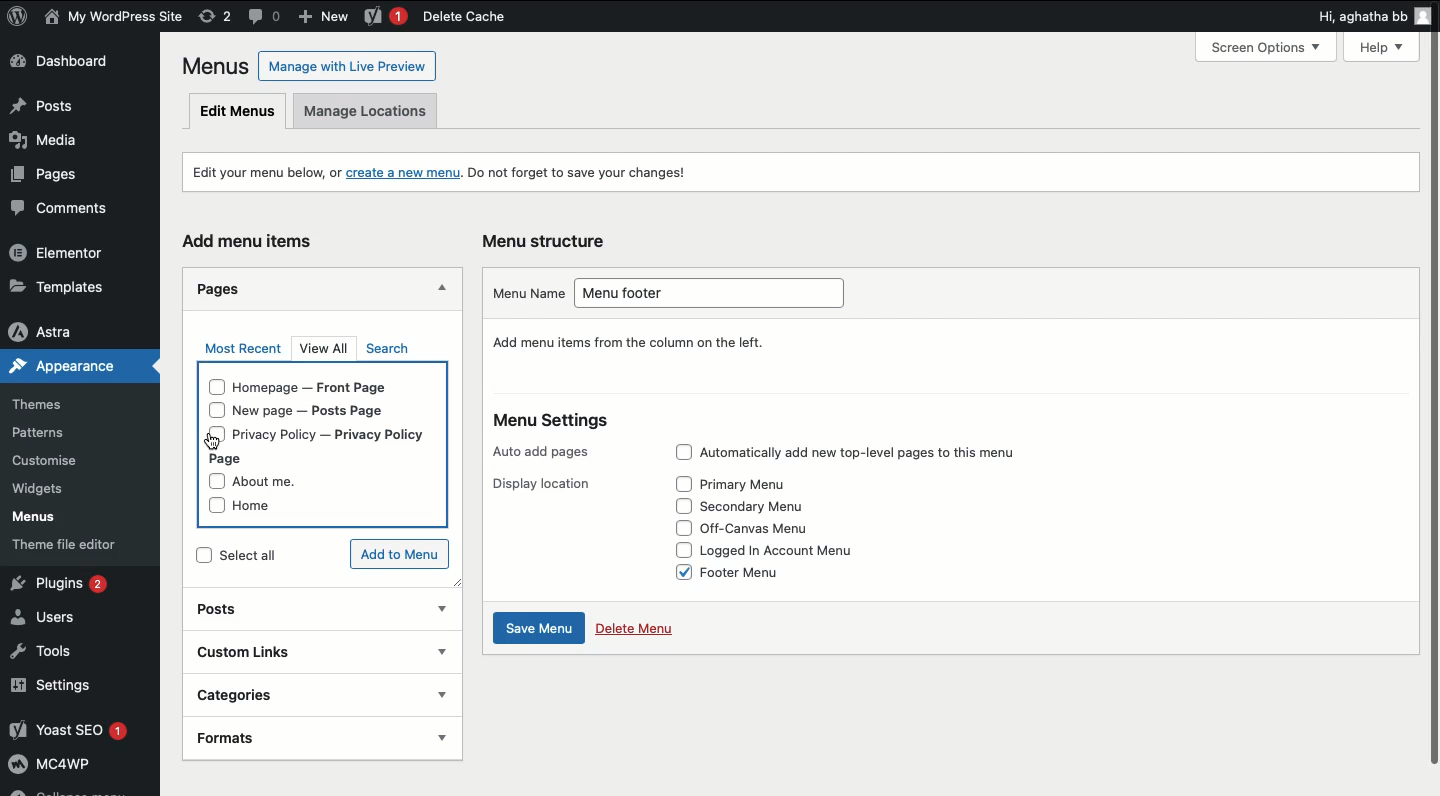 The height and width of the screenshot is (796, 1440). What do you see at coordinates (1358, 19) in the screenshot?
I see `Hi, agatha bb` at bounding box center [1358, 19].